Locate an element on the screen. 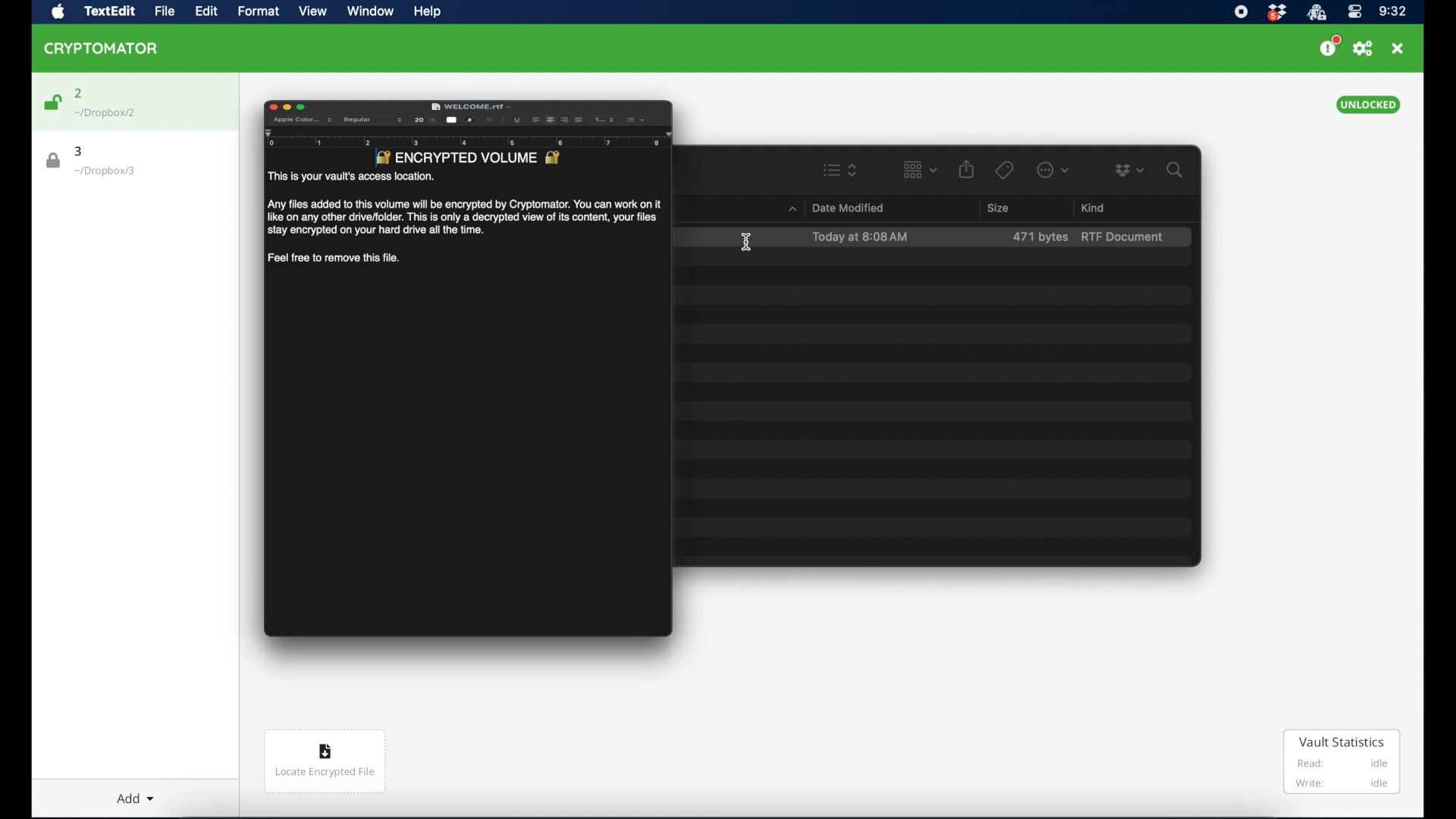  locate encrypted file is located at coordinates (325, 760).